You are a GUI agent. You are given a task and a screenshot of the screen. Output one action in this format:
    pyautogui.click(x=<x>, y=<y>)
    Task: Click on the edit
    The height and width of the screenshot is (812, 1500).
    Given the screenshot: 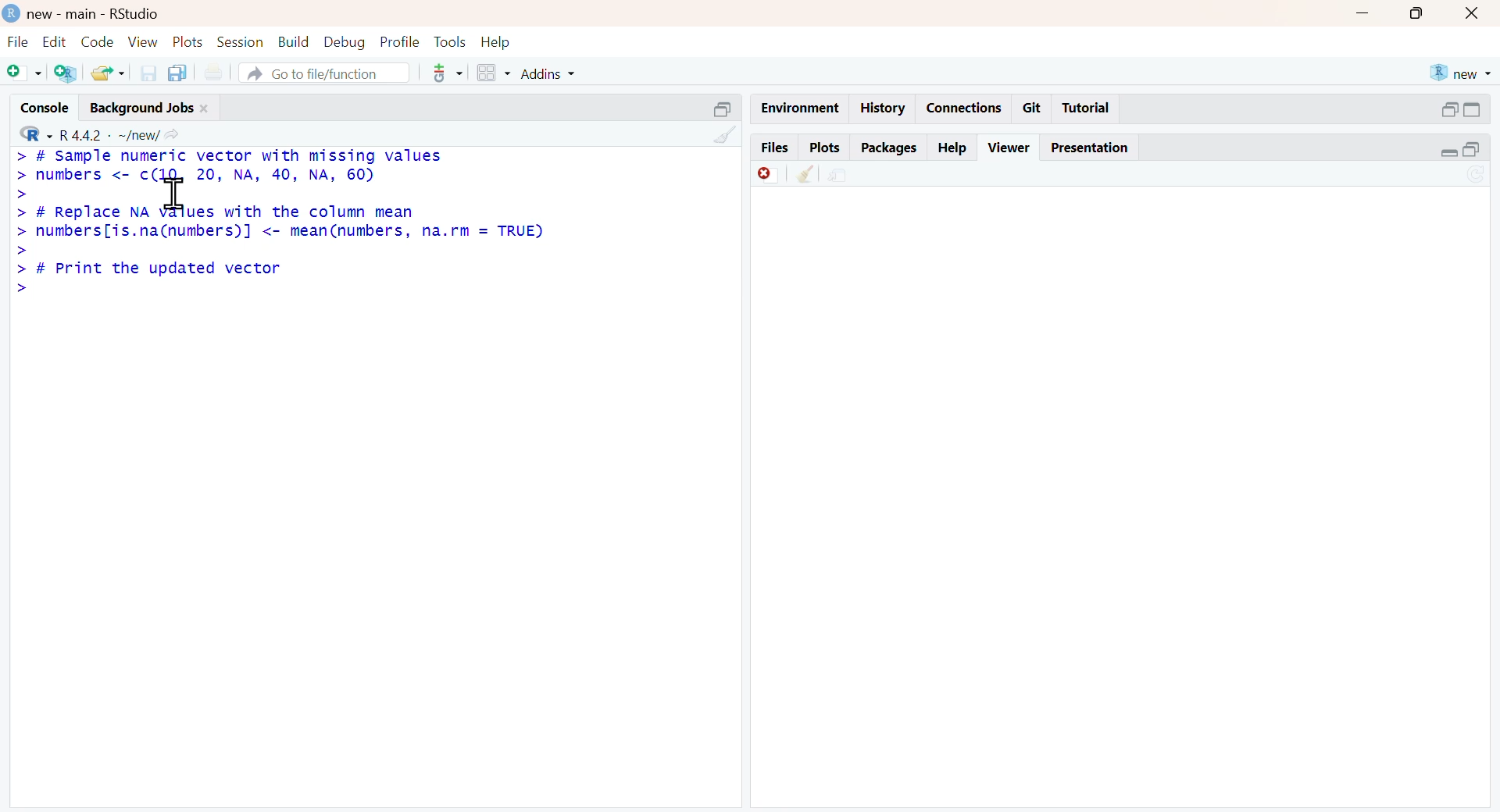 What is the action you would take?
    pyautogui.click(x=55, y=41)
    